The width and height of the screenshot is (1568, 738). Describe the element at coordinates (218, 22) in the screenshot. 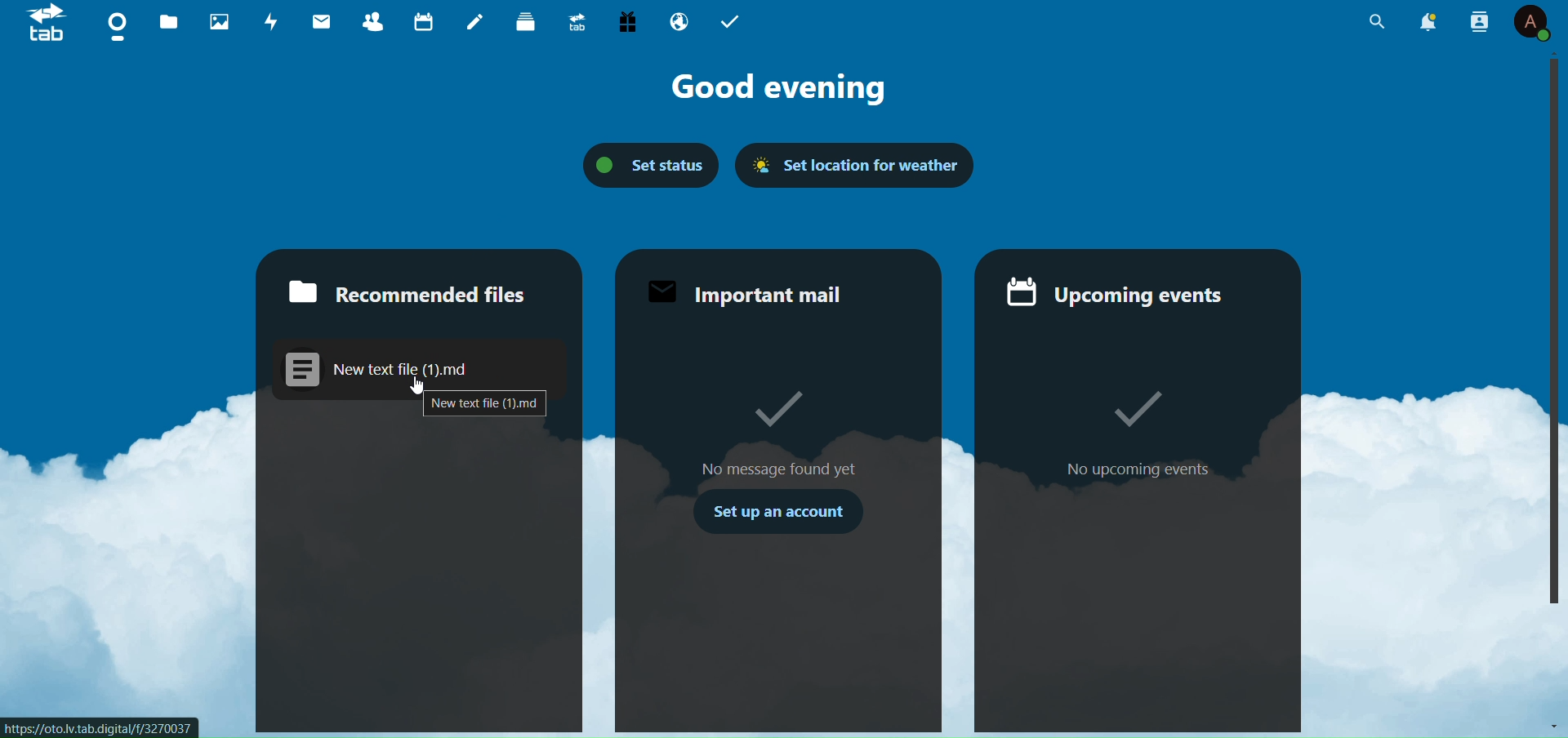

I see `photo` at that location.